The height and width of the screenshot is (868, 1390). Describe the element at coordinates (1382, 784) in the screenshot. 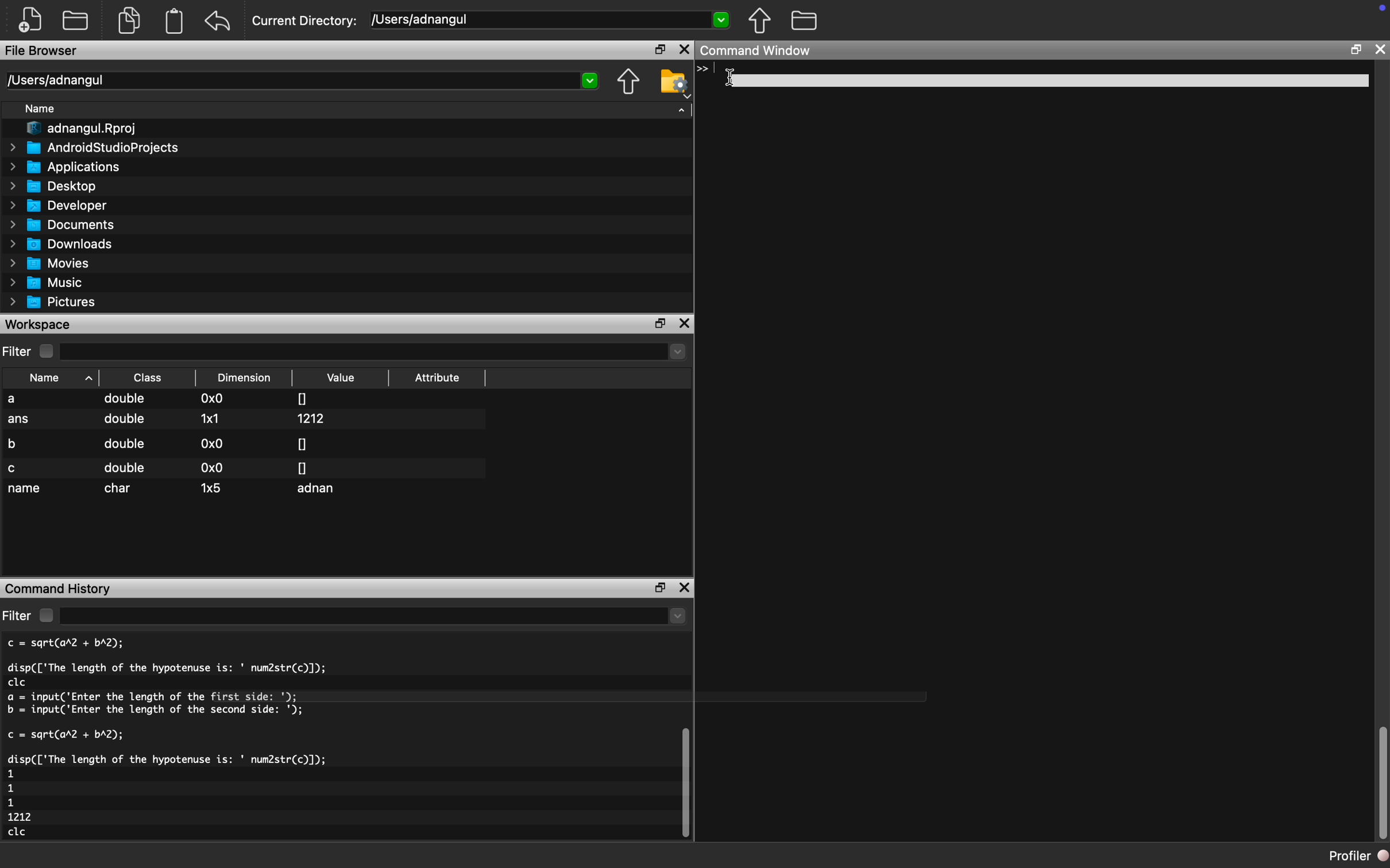

I see `vertical scroll bar` at that location.